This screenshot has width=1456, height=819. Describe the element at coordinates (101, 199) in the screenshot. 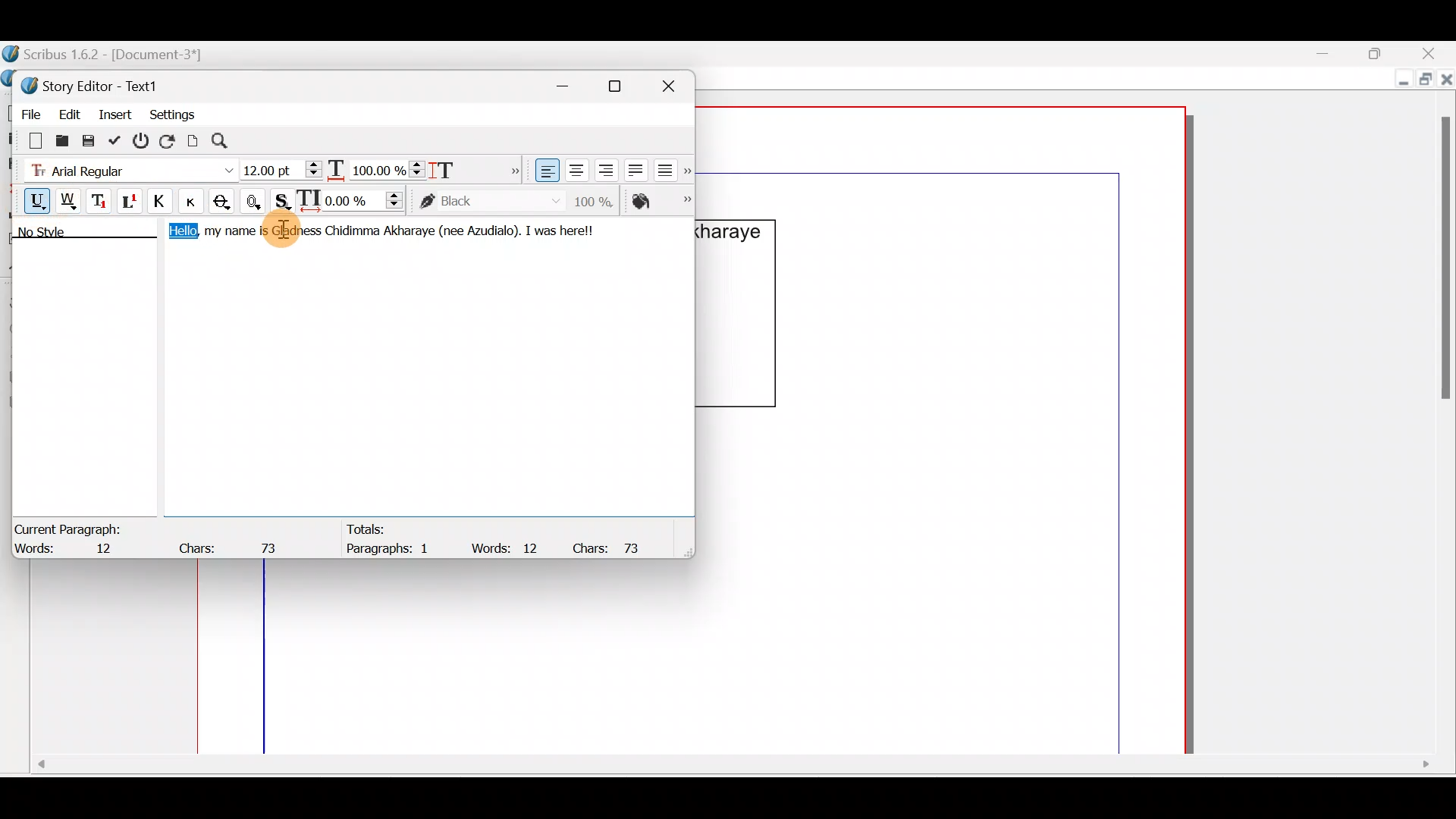

I see `Subscript` at that location.